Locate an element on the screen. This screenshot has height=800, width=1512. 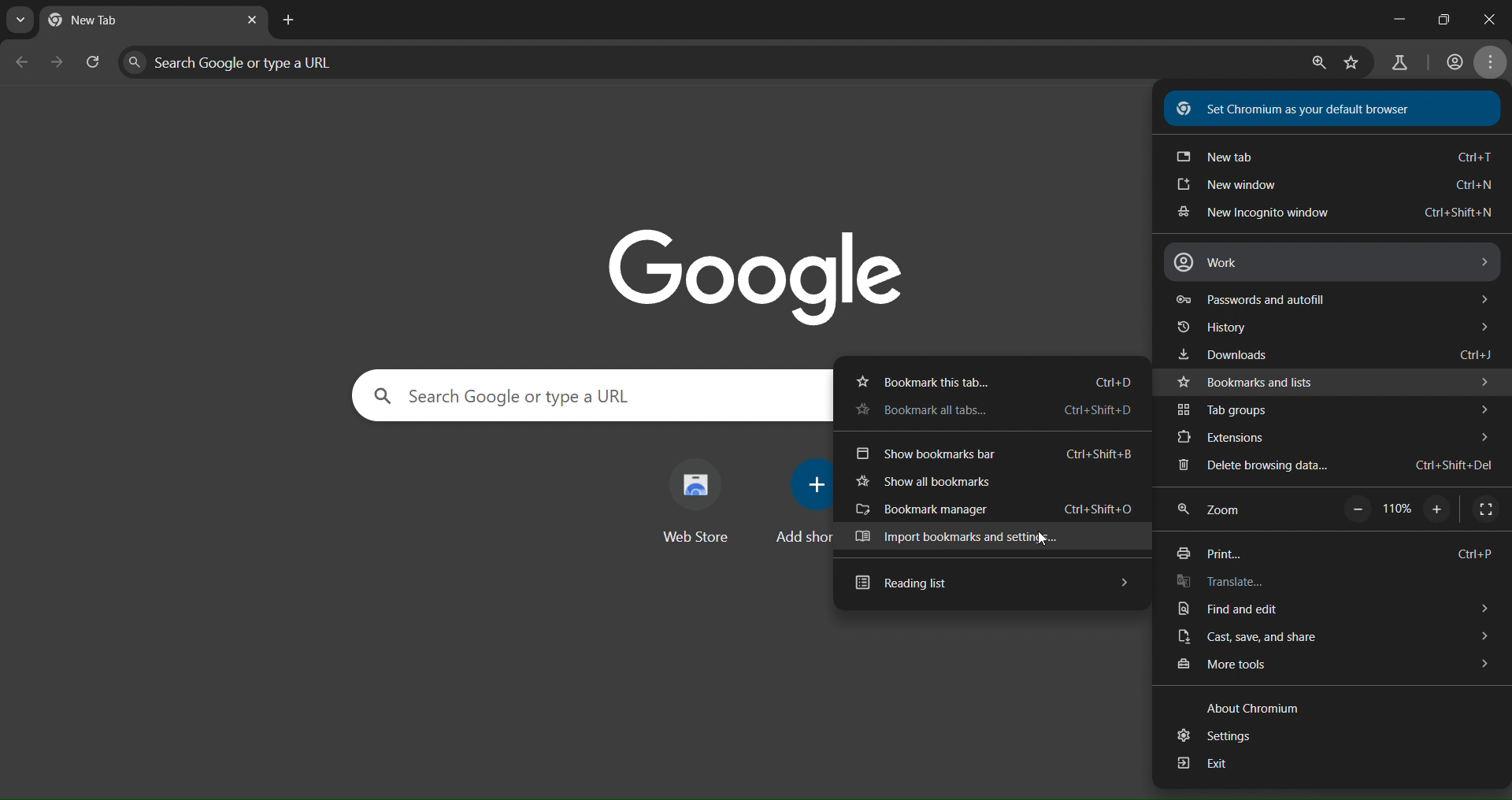
delete browsing data is located at coordinates (1343, 467).